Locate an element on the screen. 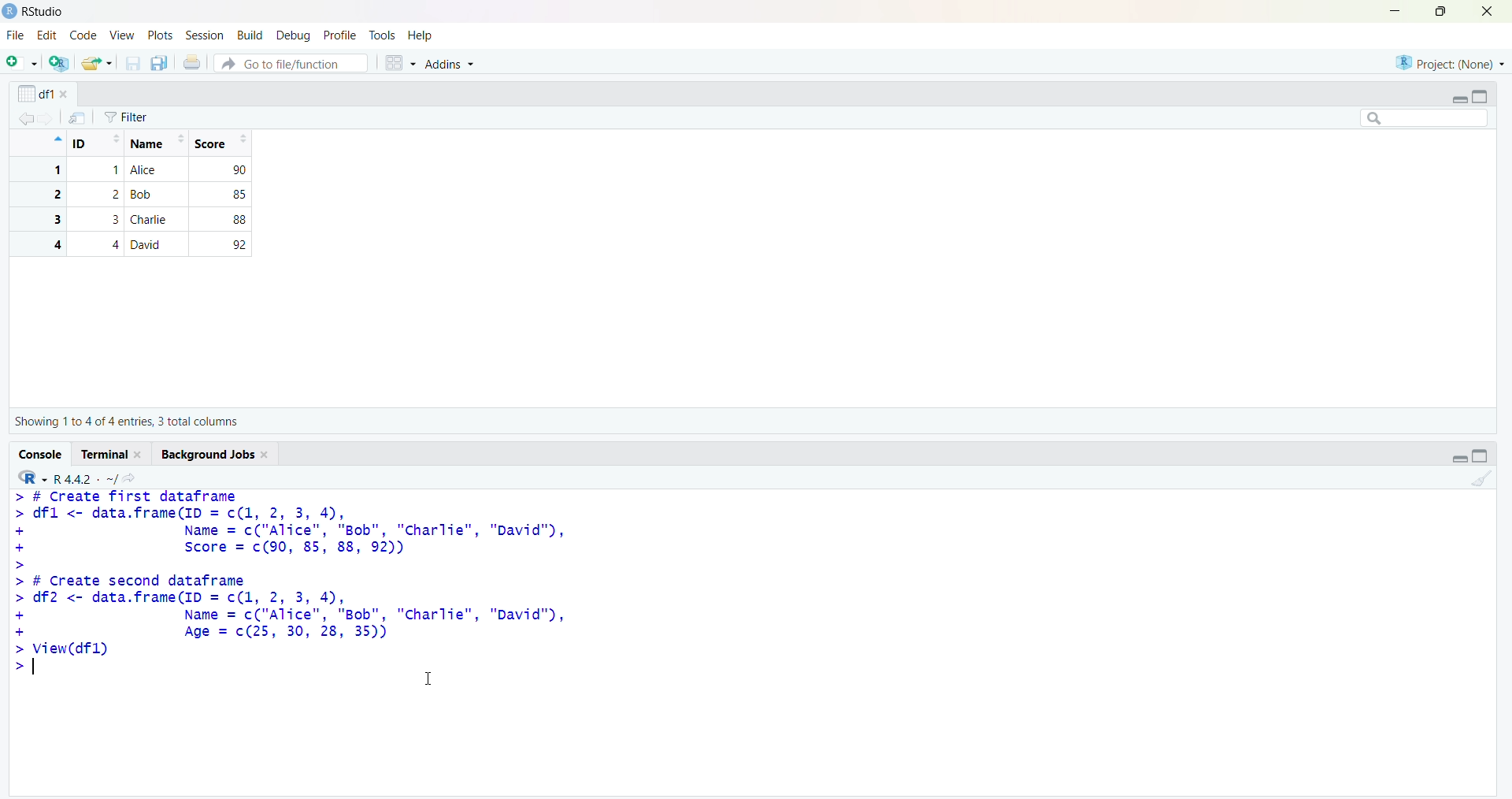  Go to file/function is located at coordinates (291, 63).